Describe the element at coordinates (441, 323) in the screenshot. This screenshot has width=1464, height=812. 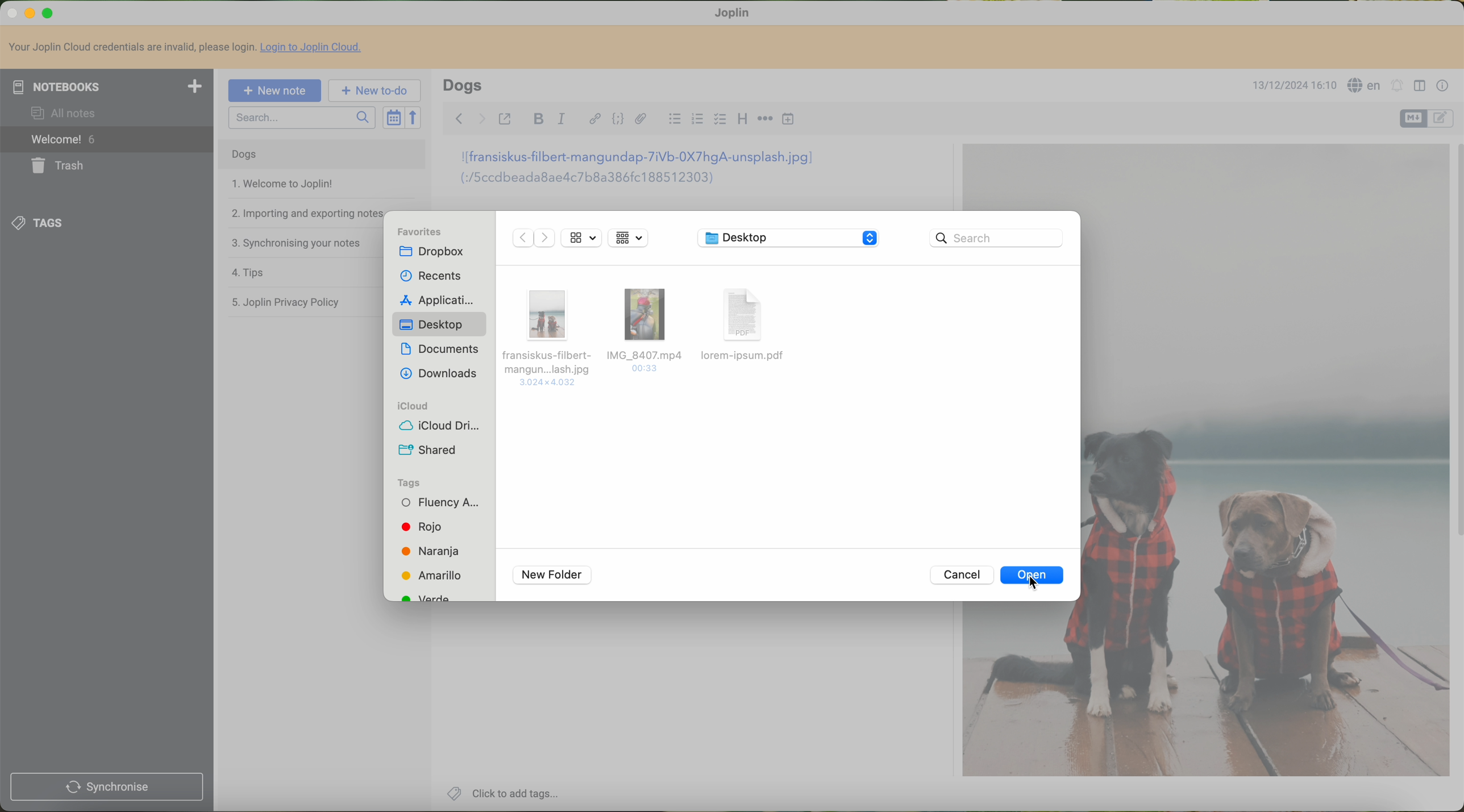
I see `desktop` at that location.